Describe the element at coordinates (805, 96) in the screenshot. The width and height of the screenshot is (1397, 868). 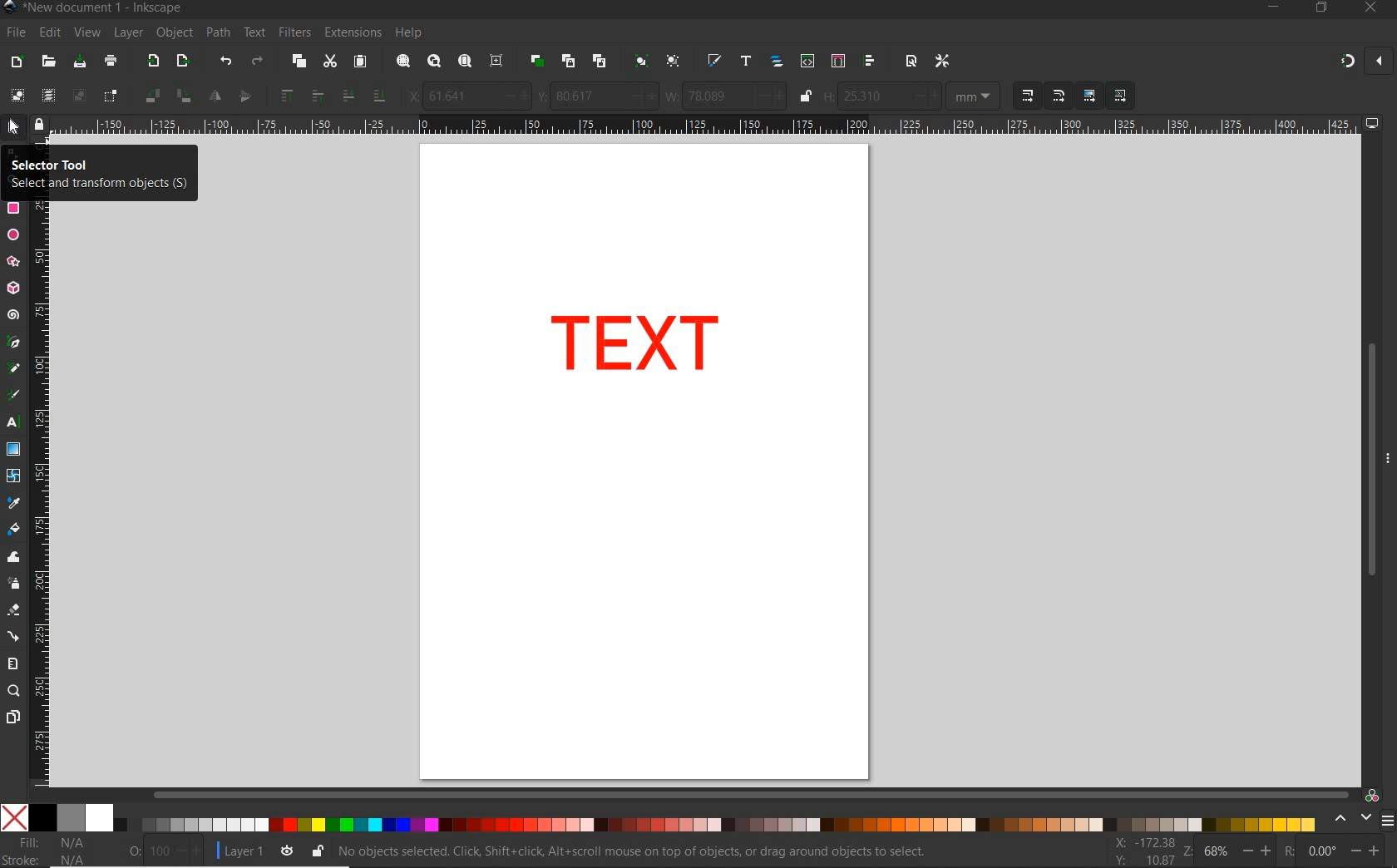
I see `lock/unlock to change width or height` at that location.